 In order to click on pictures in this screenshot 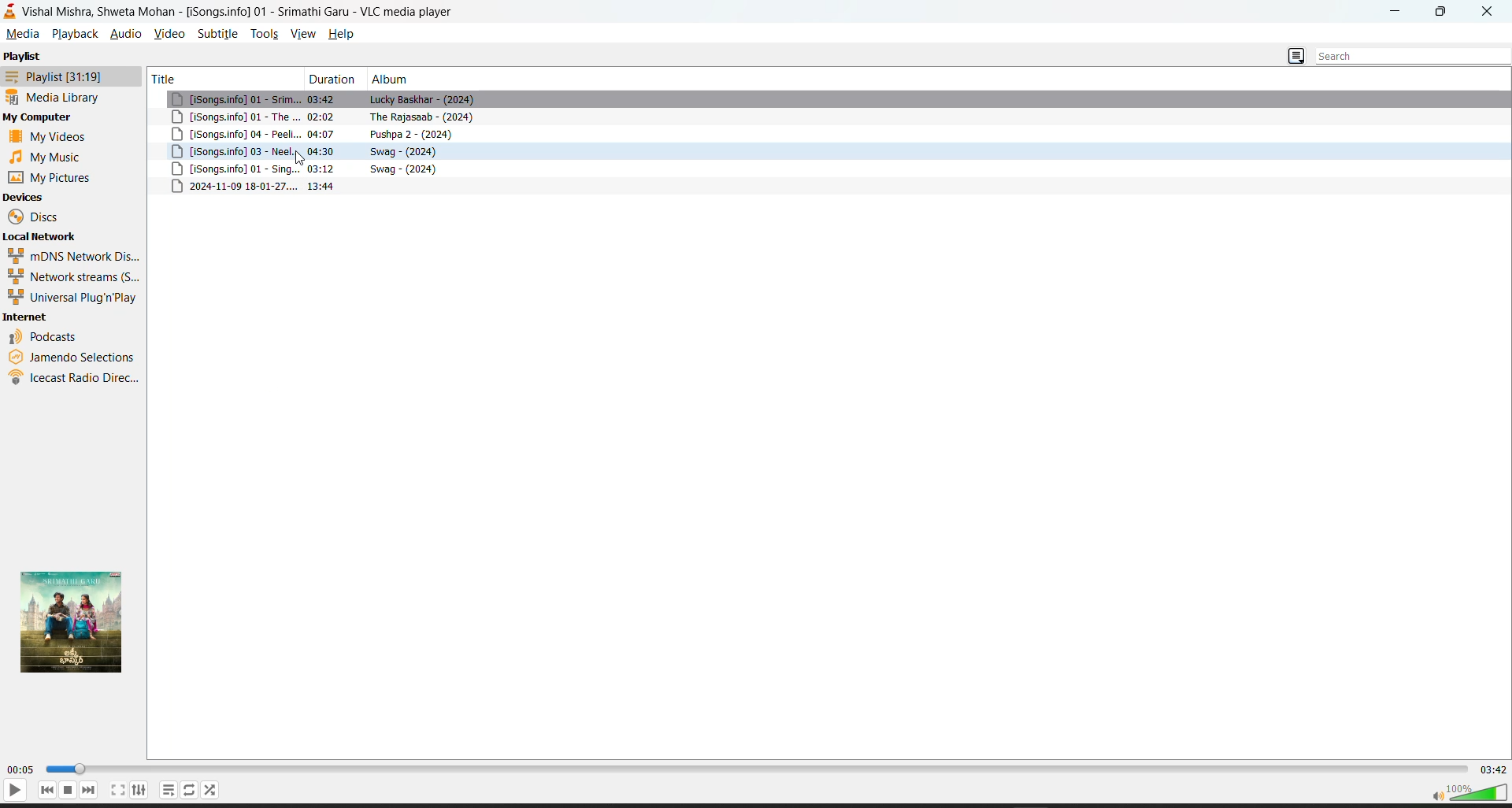, I will do `click(55, 176)`.